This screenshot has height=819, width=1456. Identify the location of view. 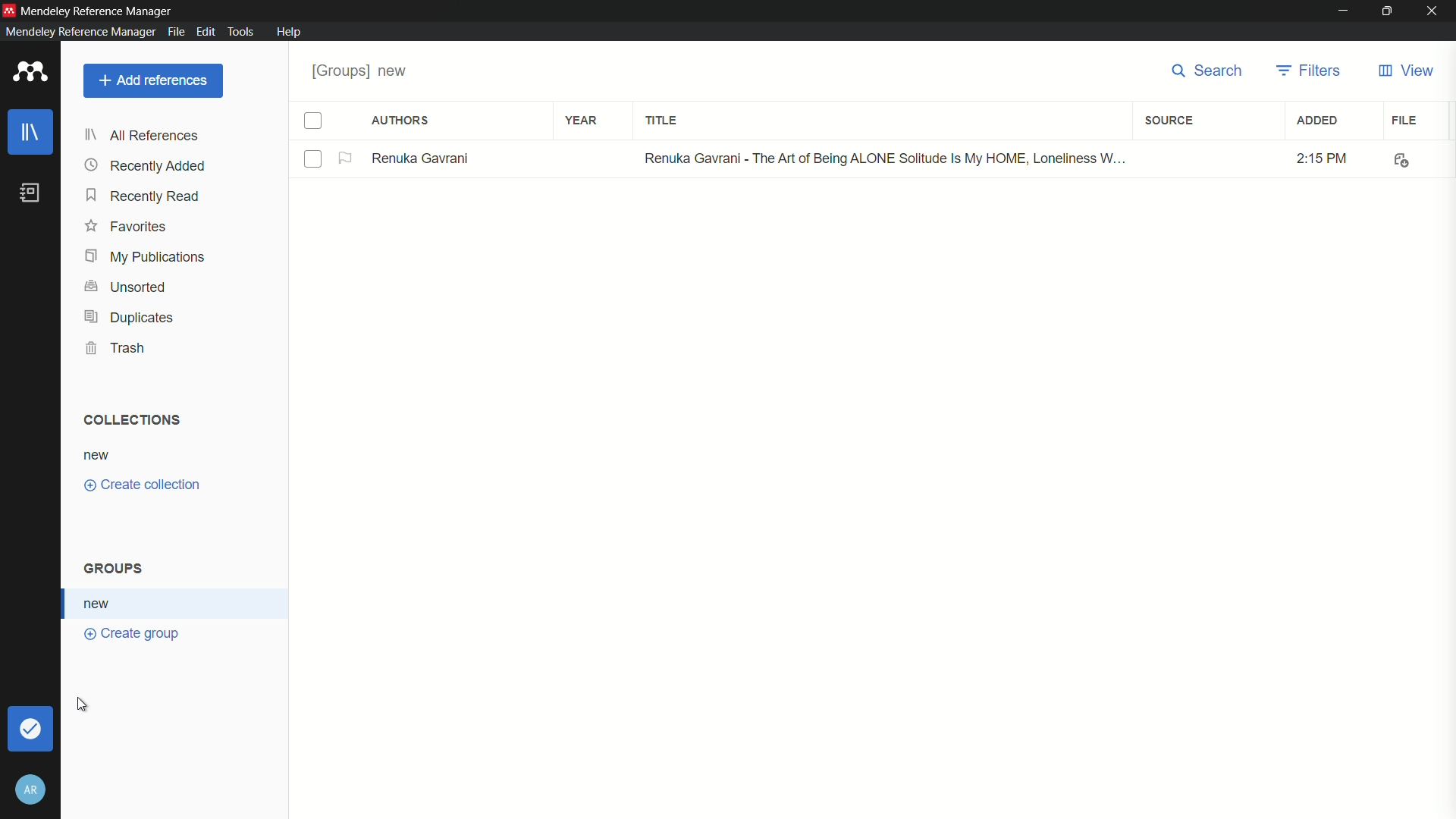
(1405, 71).